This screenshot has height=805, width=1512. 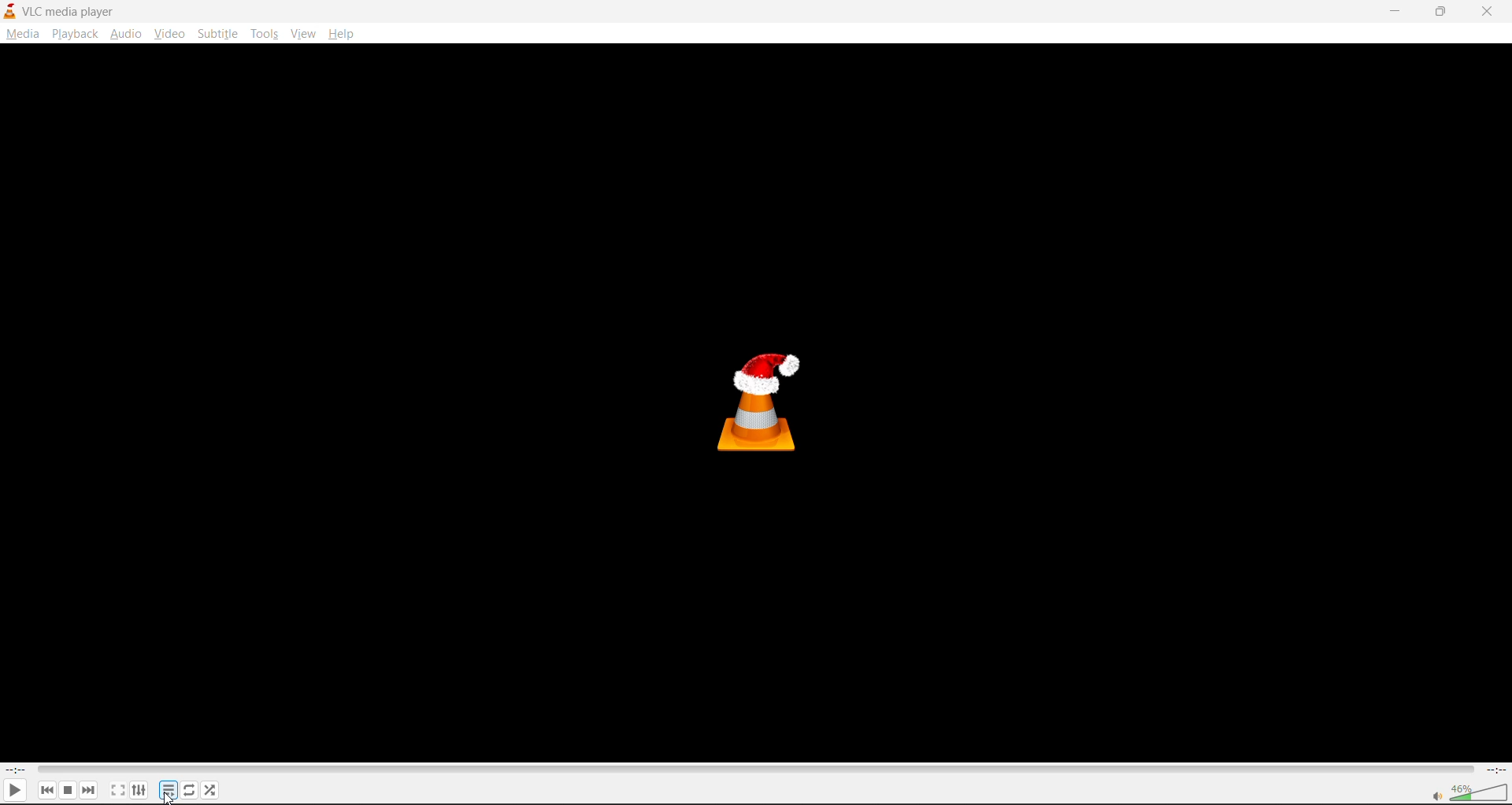 What do you see at coordinates (190, 789) in the screenshot?
I see `loop` at bounding box center [190, 789].